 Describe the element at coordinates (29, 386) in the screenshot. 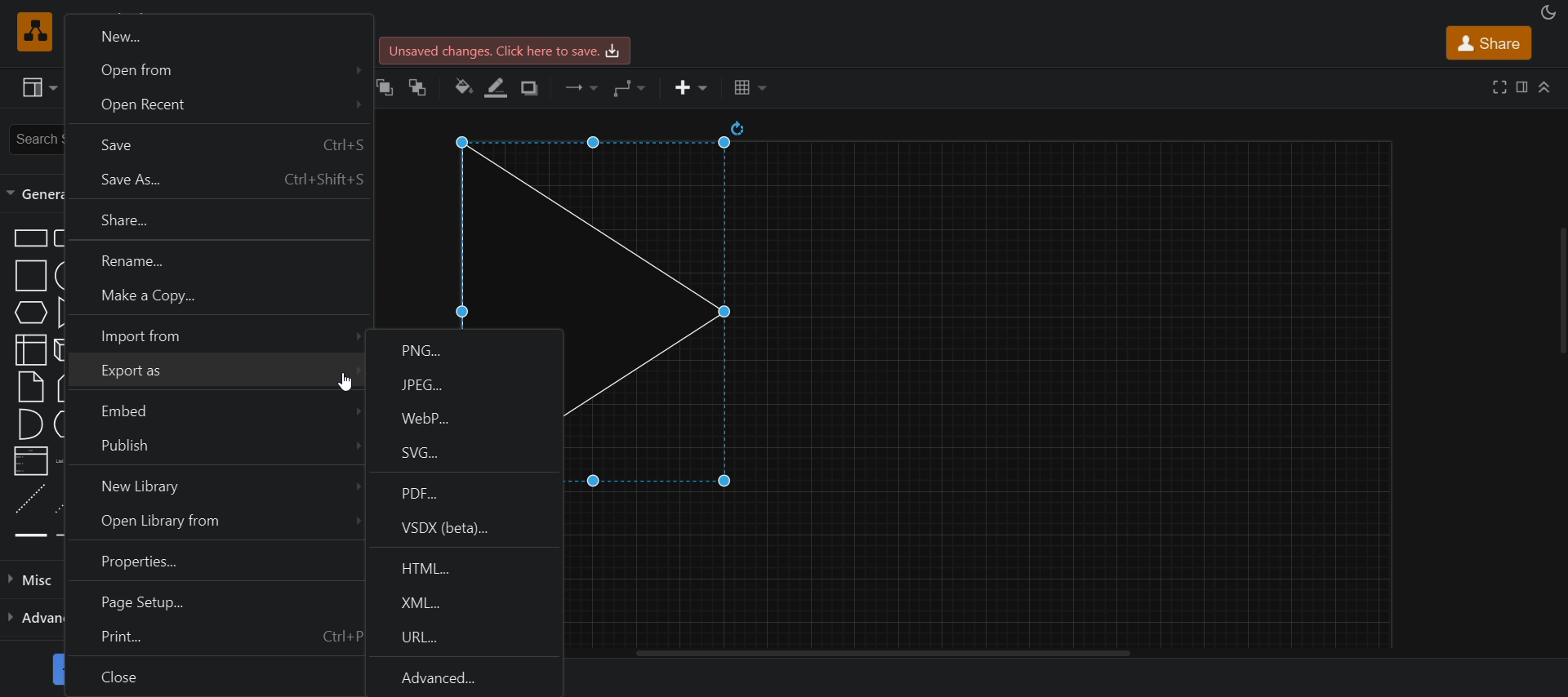

I see `note` at that location.